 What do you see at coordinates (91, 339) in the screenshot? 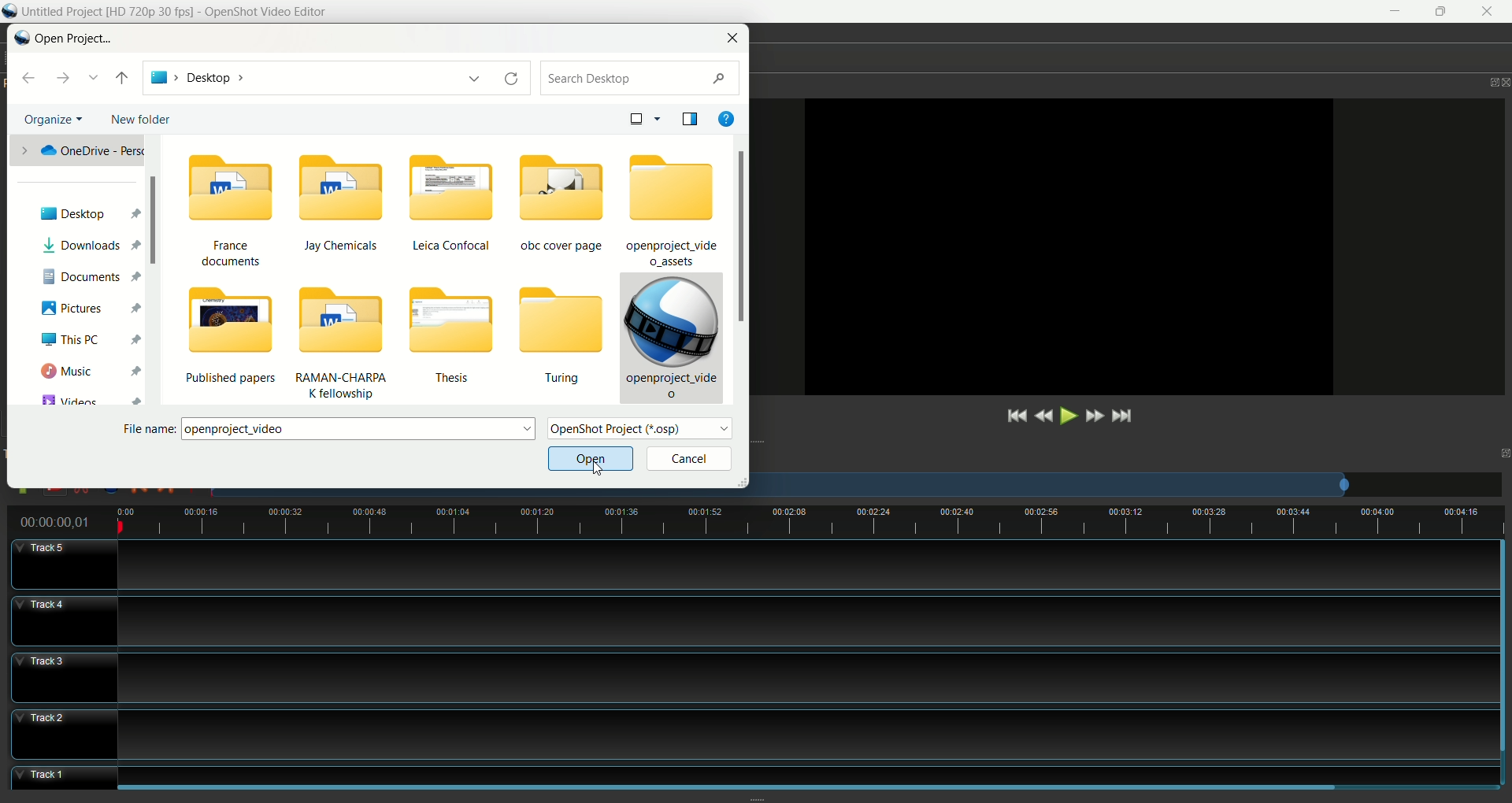
I see `this PC` at bounding box center [91, 339].